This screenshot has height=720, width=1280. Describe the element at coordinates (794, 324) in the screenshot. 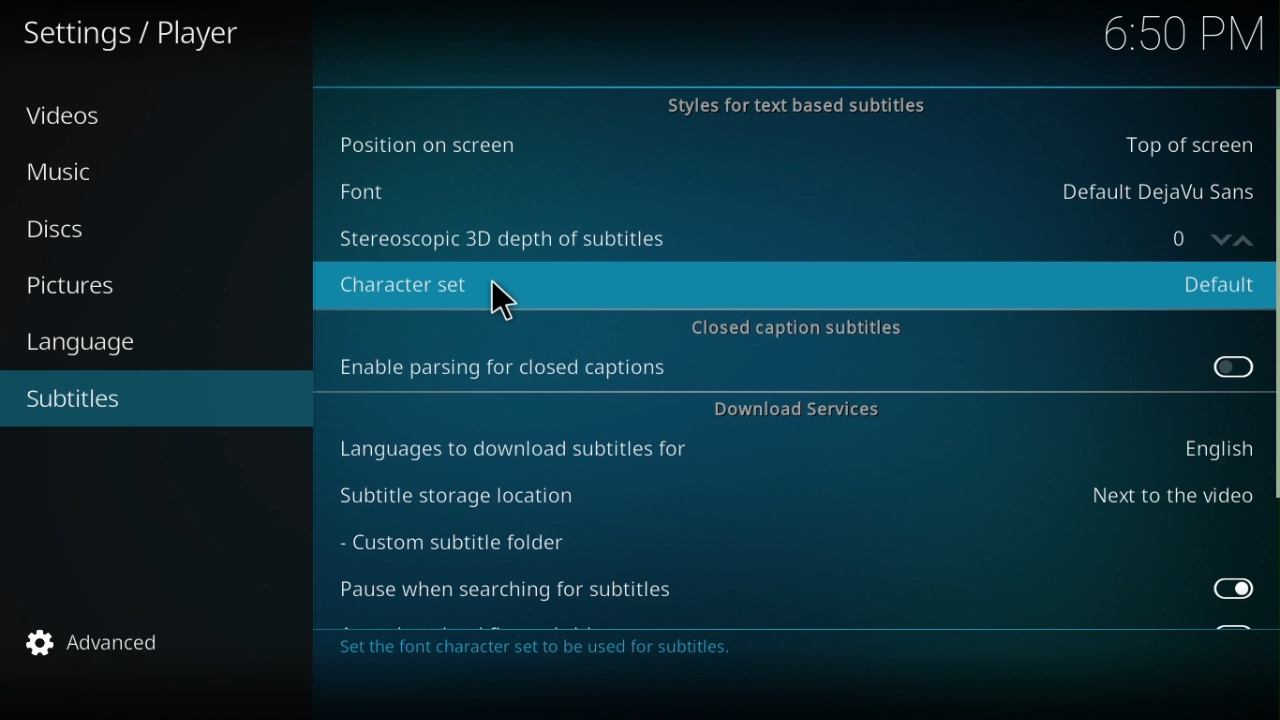

I see `Closed caption subtitles` at that location.